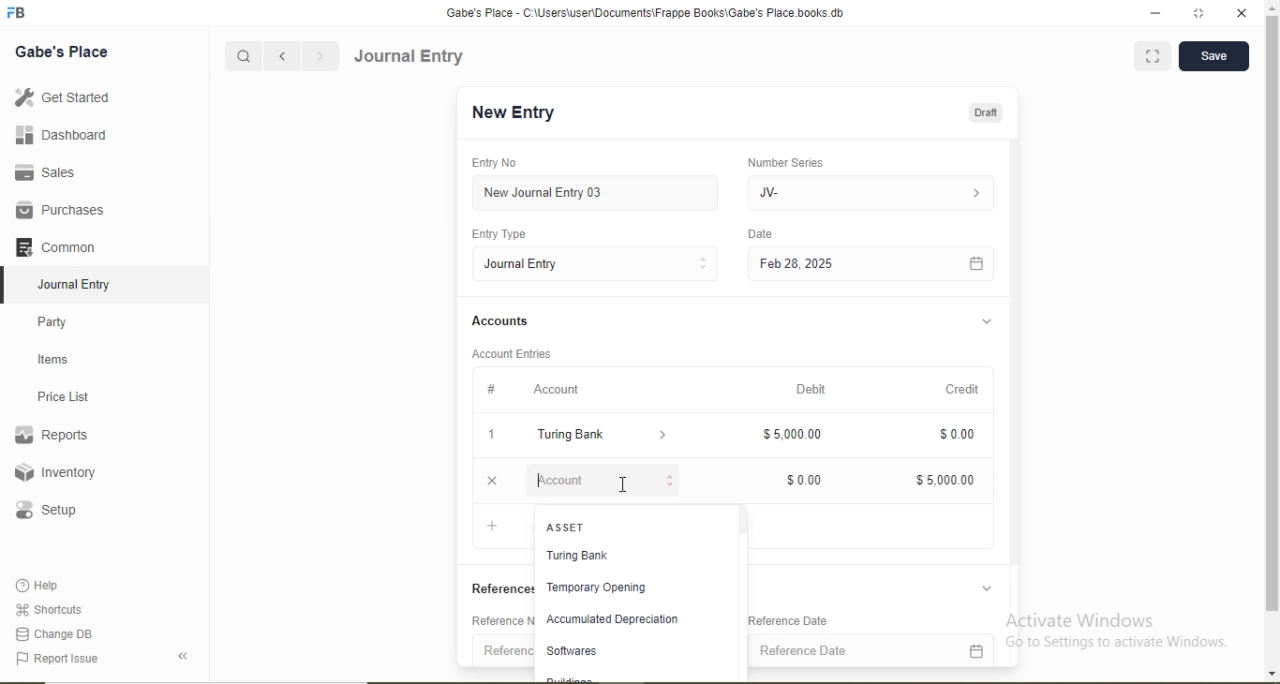  Describe the element at coordinates (788, 163) in the screenshot. I see `Number Series` at that location.